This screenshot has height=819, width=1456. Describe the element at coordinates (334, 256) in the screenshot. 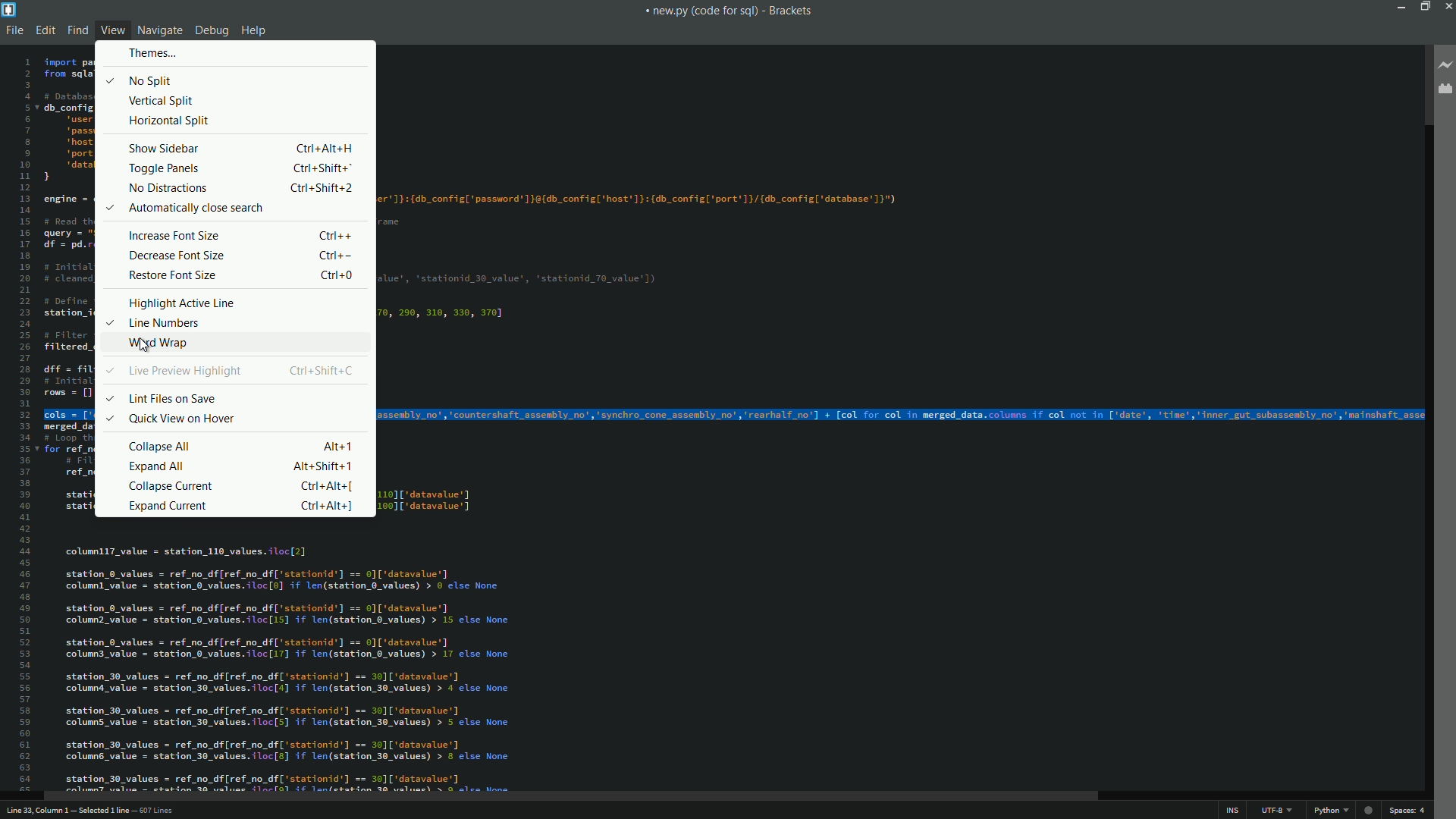

I see `keyboard shortcut` at that location.